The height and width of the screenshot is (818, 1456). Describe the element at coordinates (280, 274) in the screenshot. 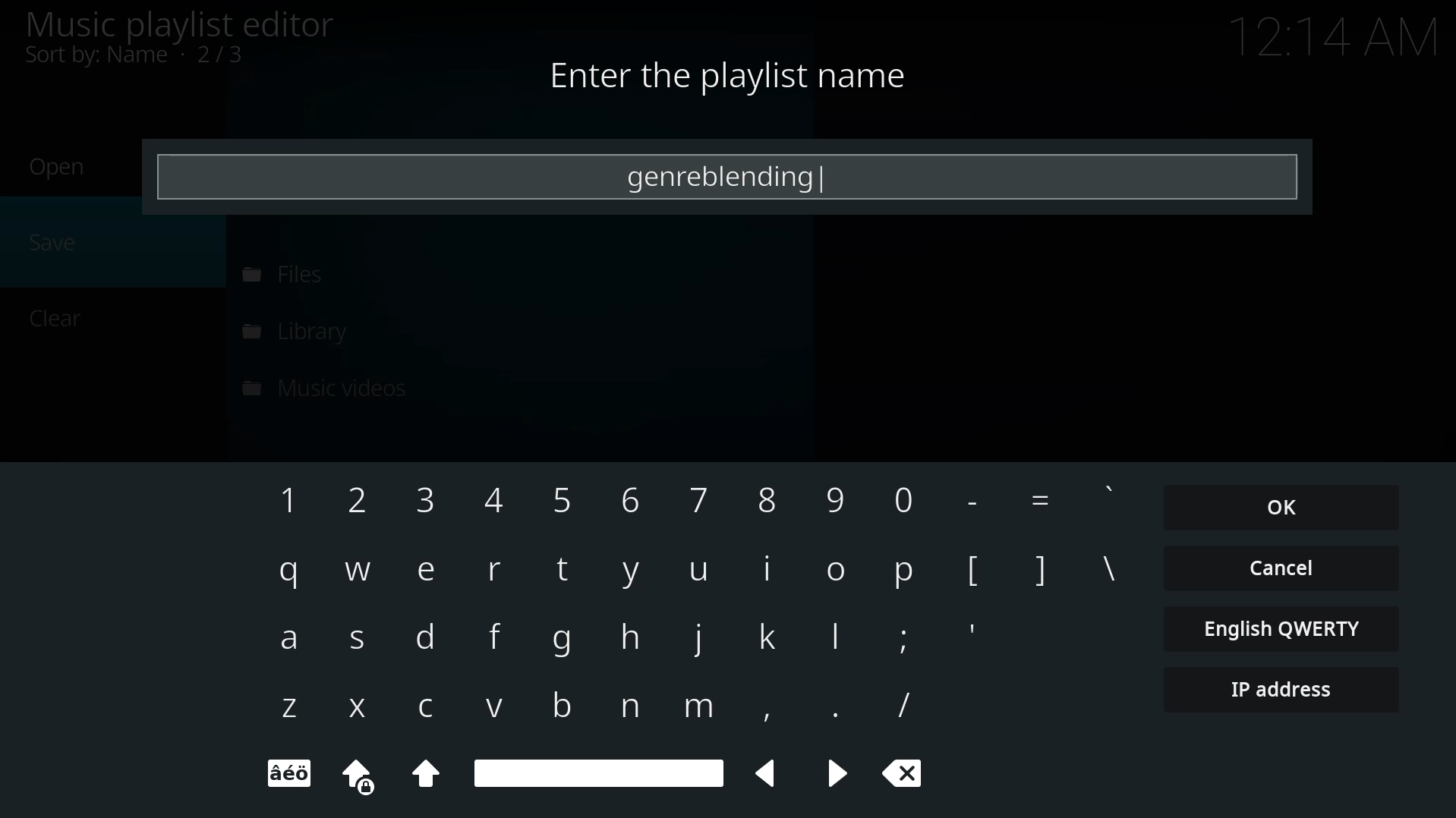

I see `files` at that location.